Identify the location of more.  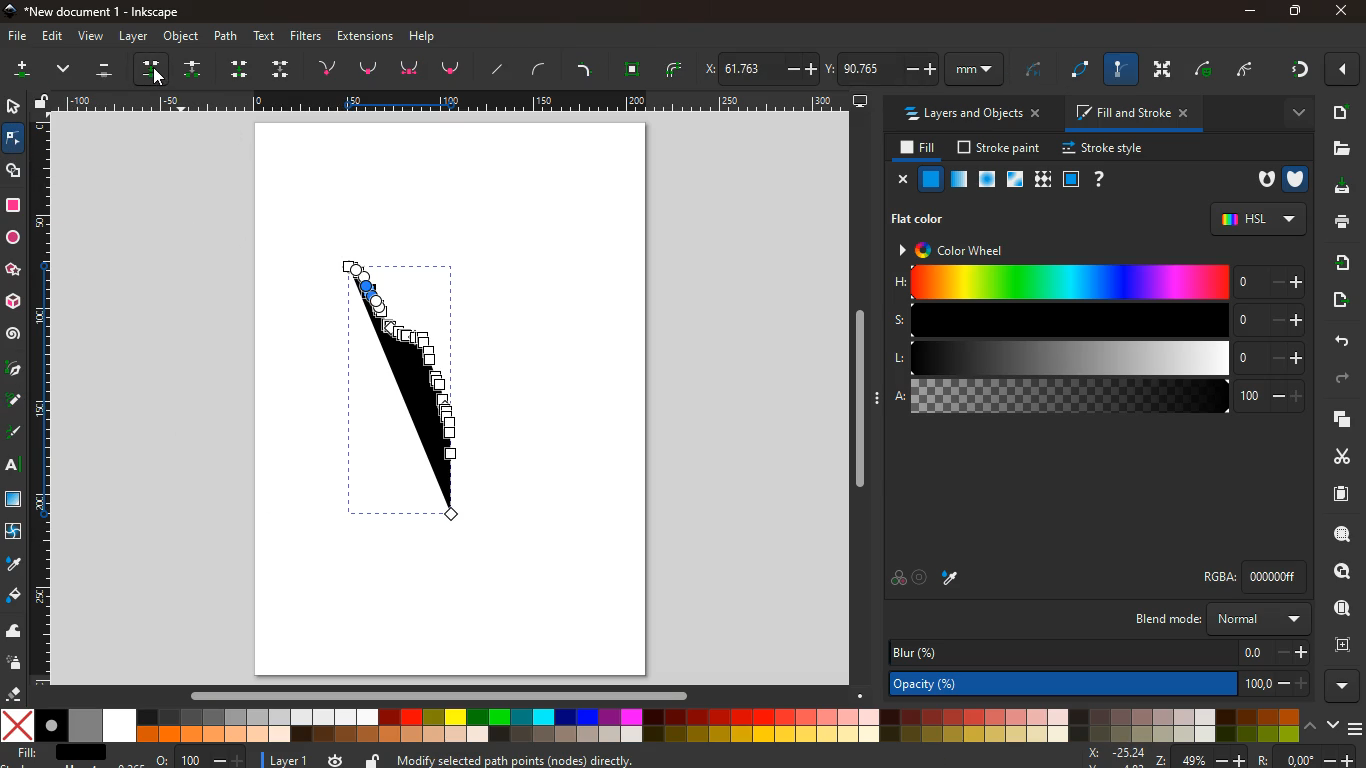
(21, 72).